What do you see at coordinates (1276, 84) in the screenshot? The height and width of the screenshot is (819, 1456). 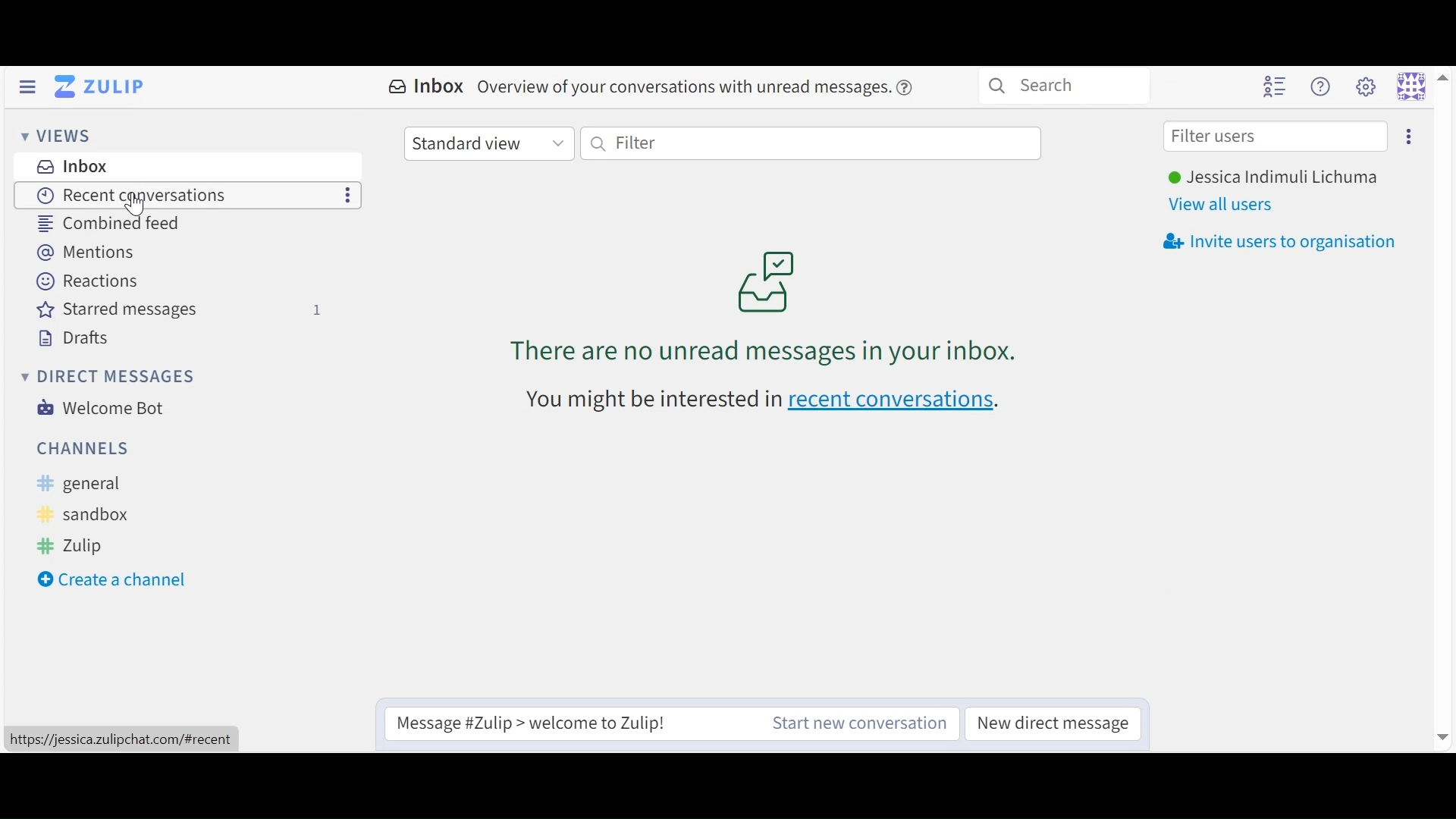 I see `Hide user list` at bounding box center [1276, 84].